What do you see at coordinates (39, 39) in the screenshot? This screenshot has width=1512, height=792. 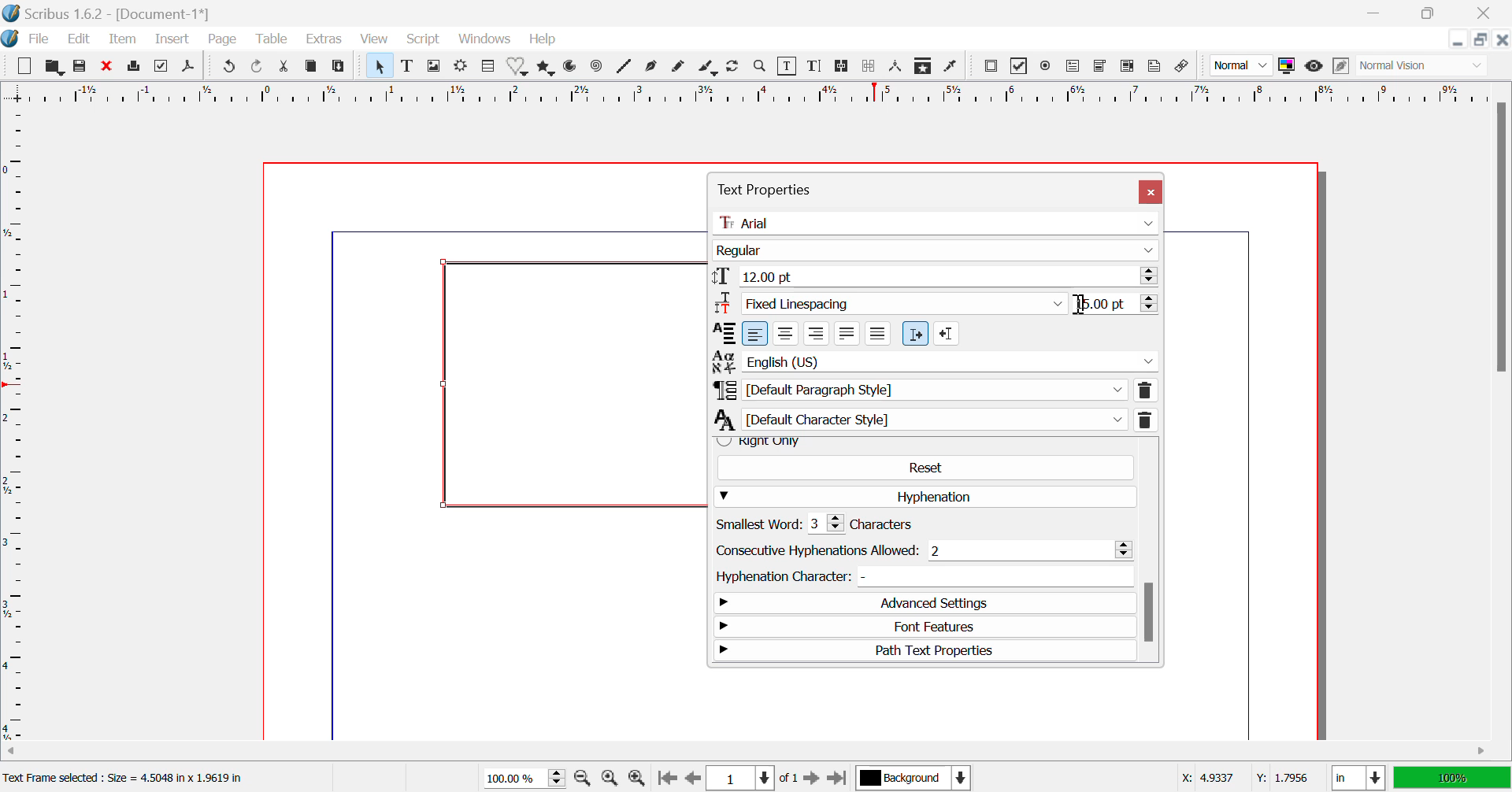 I see `File` at bounding box center [39, 39].